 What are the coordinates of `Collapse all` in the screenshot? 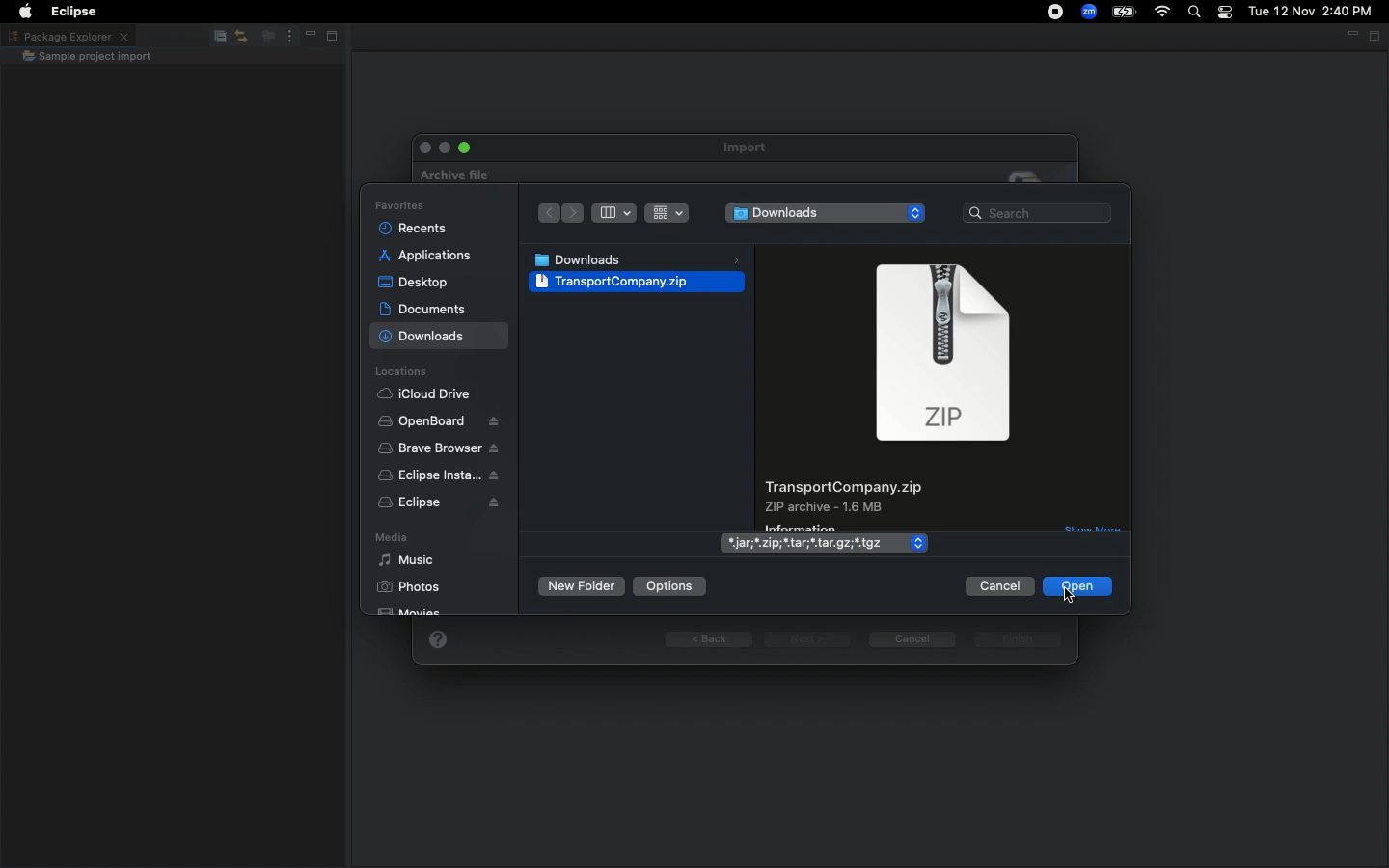 It's located at (216, 40).